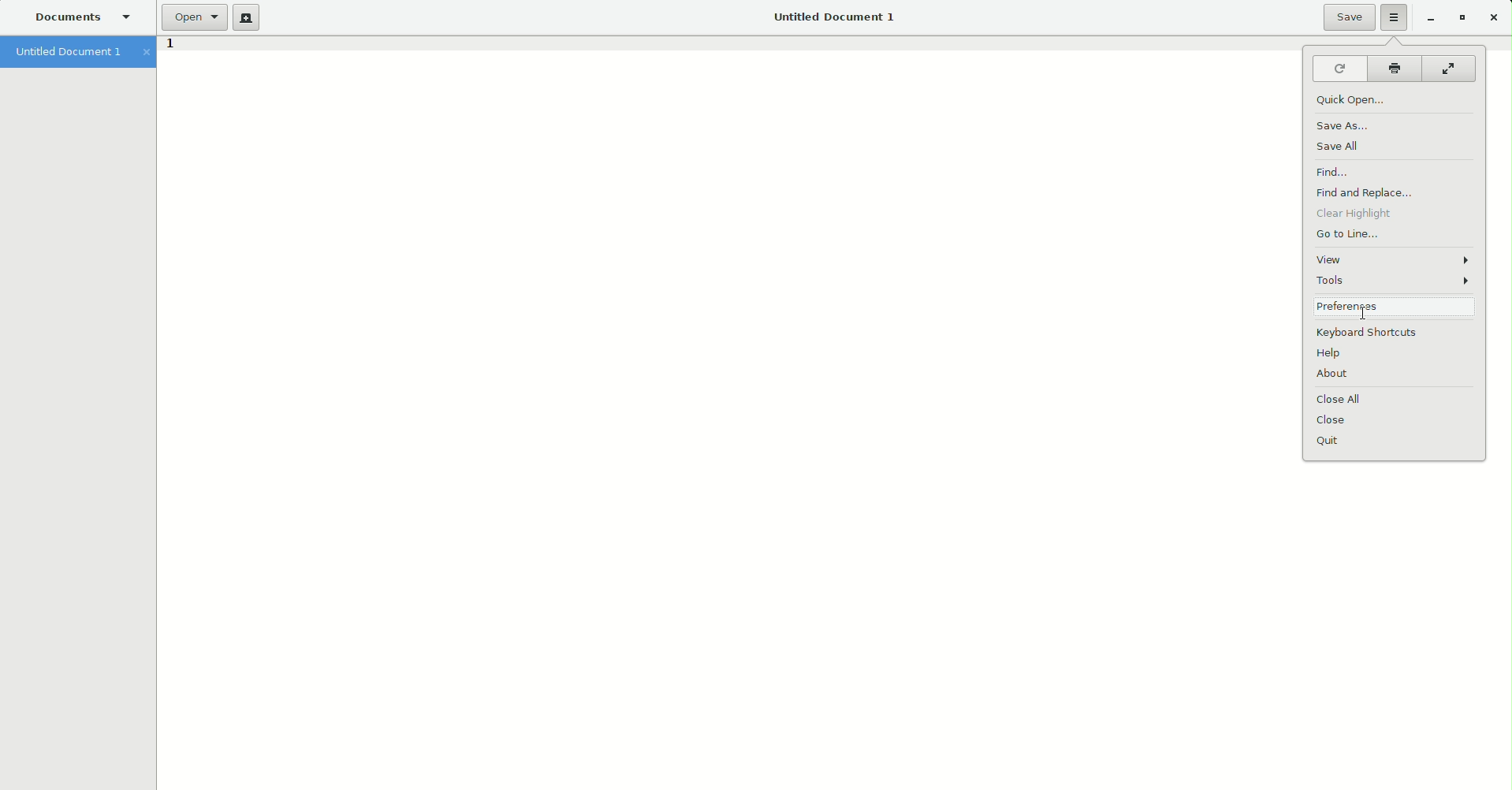 This screenshot has height=790, width=1512. Describe the element at coordinates (1395, 18) in the screenshot. I see `Options` at that location.